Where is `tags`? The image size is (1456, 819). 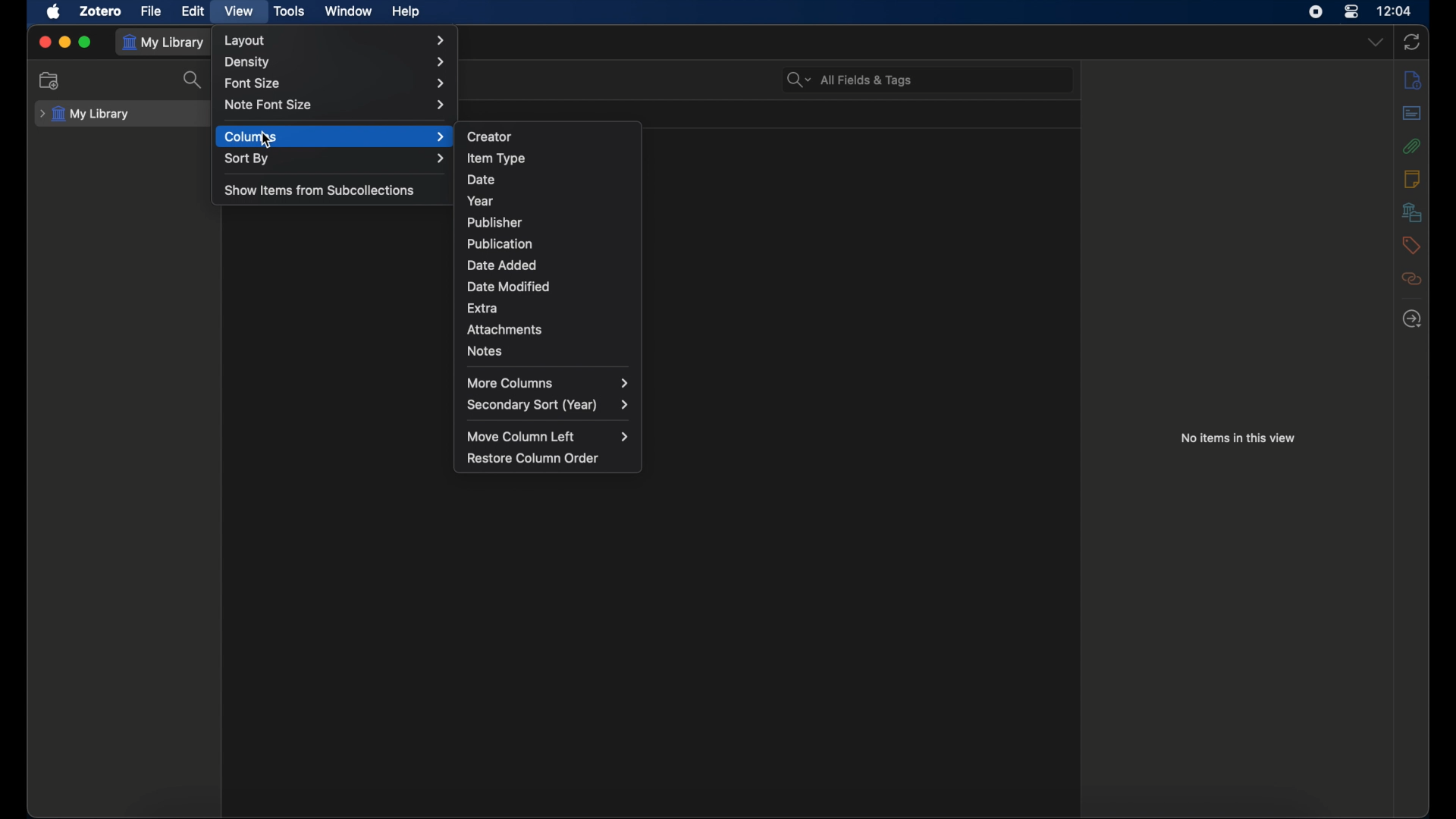 tags is located at coordinates (1410, 244).